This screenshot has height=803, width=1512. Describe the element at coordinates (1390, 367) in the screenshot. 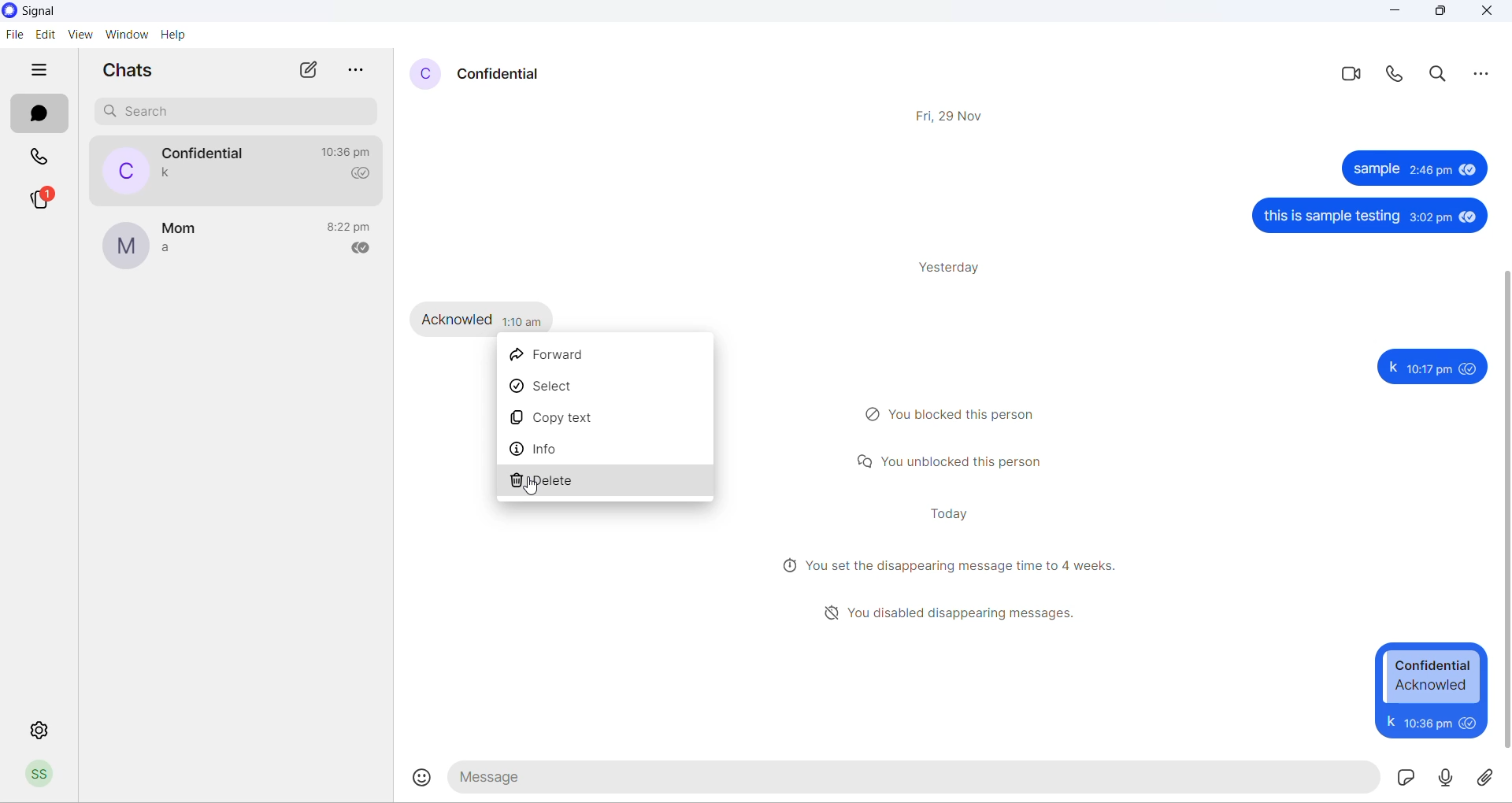

I see `k` at that location.